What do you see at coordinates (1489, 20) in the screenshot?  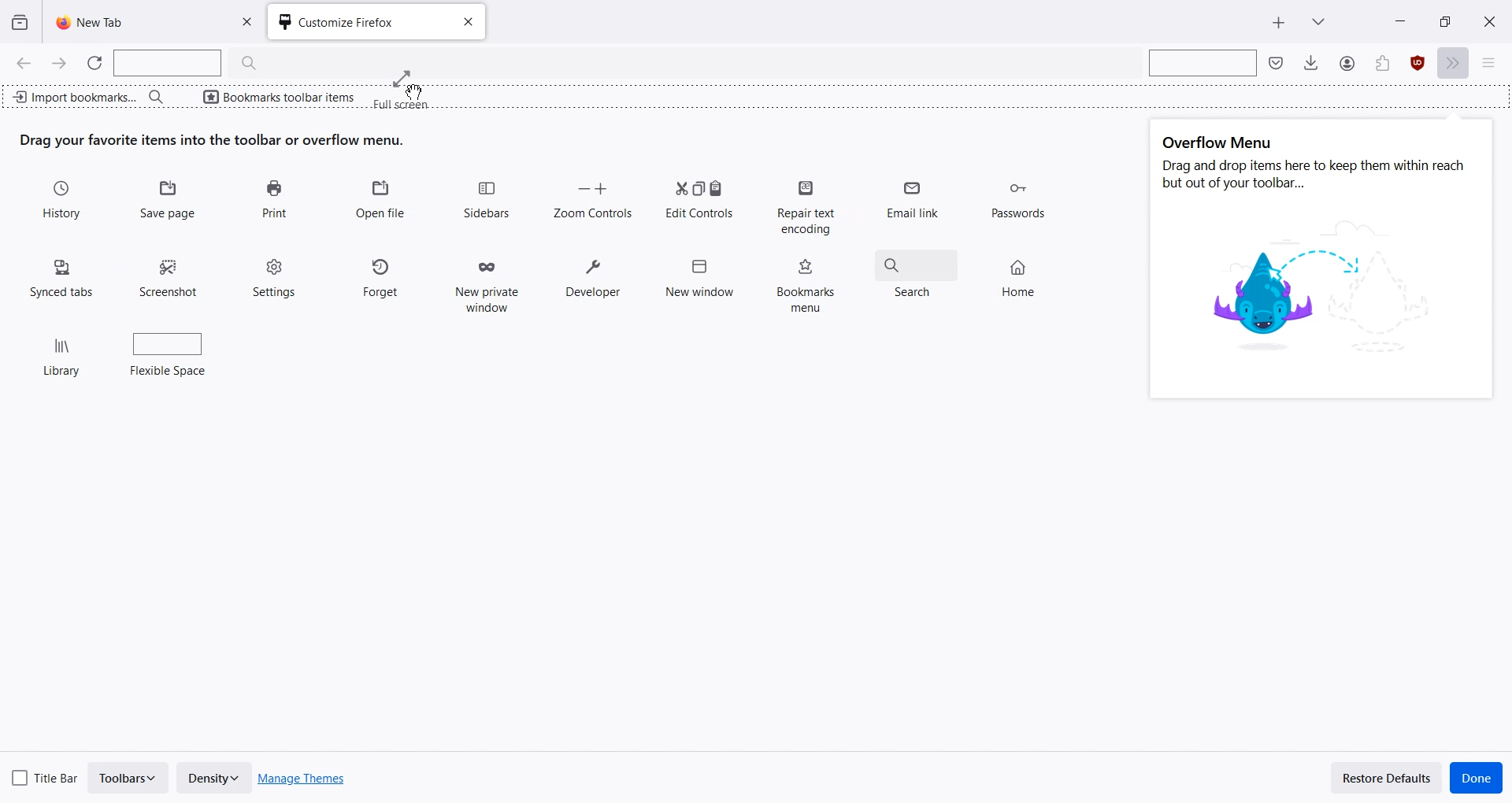 I see `Close` at bounding box center [1489, 20].